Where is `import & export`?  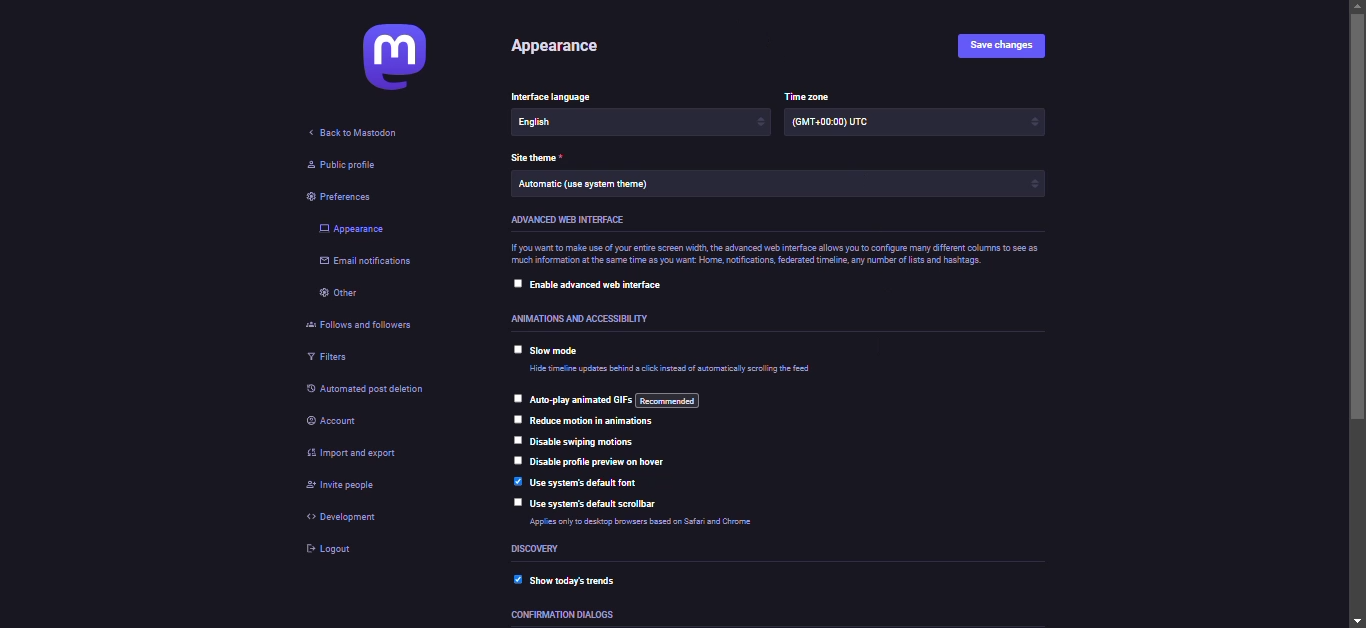 import & export is located at coordinates (352, 454).